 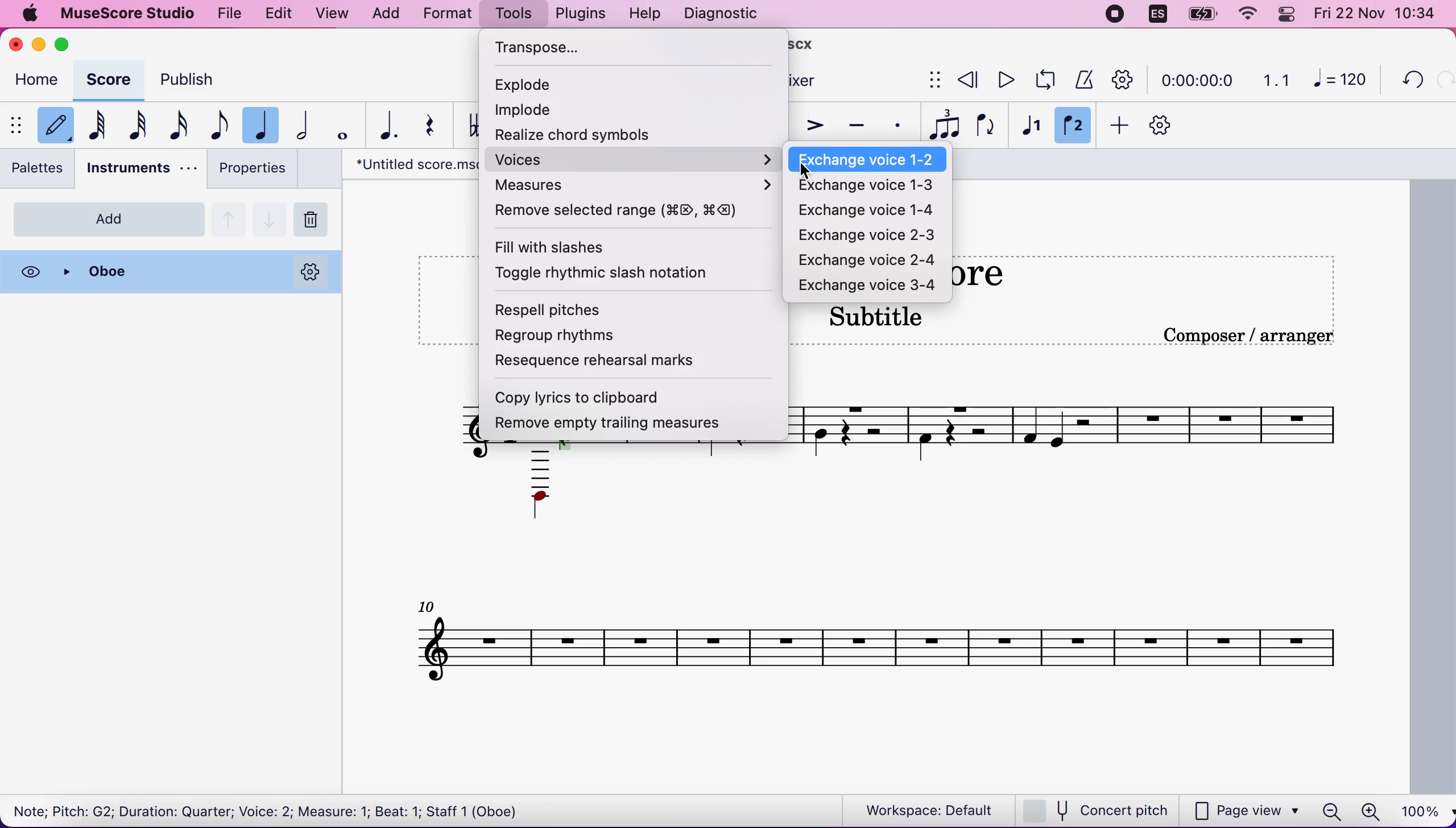 I want to click on rest, so click(x=435, y=129).